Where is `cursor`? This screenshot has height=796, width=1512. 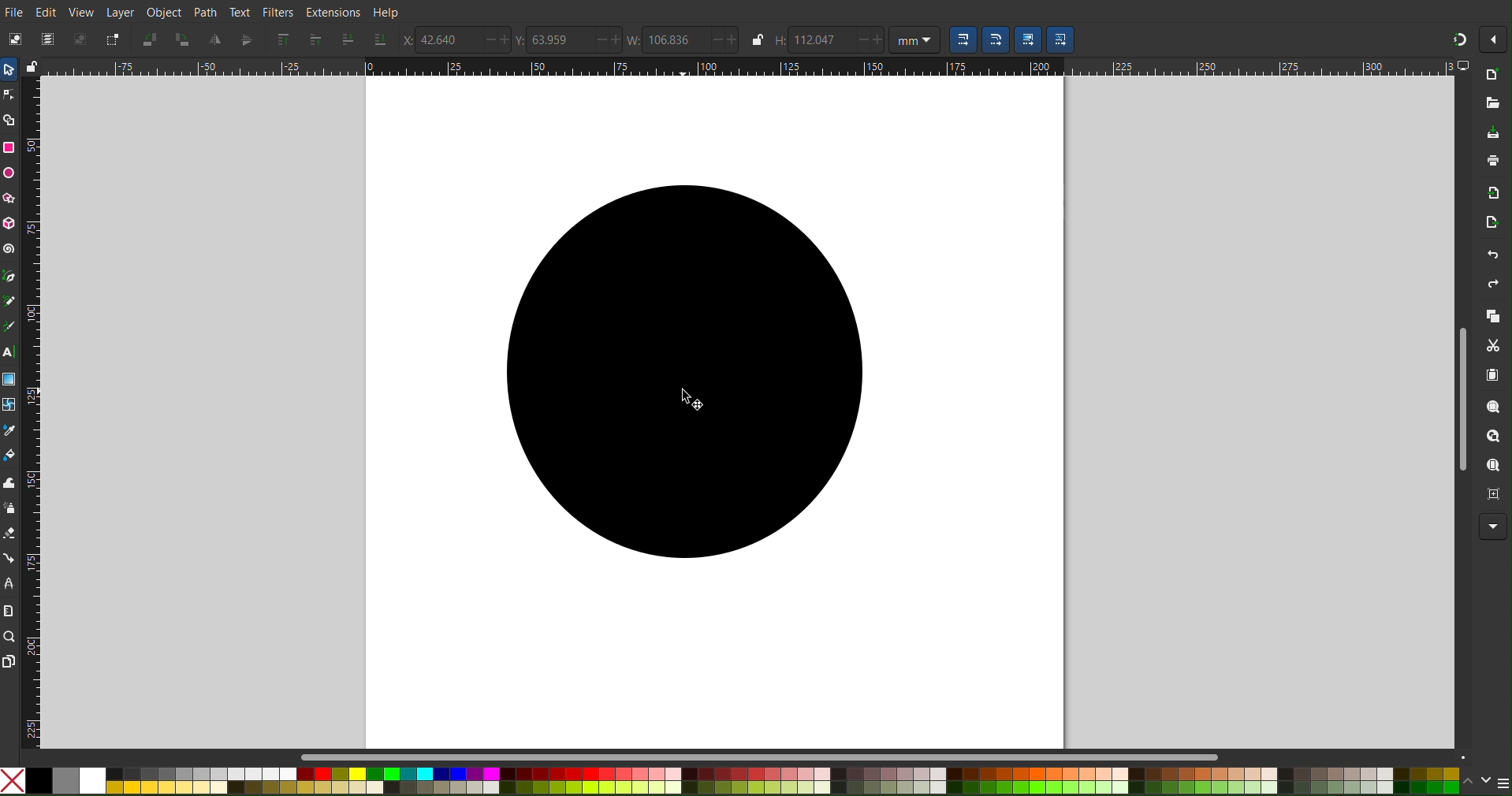
cursor is located at coordinates (695, 400).